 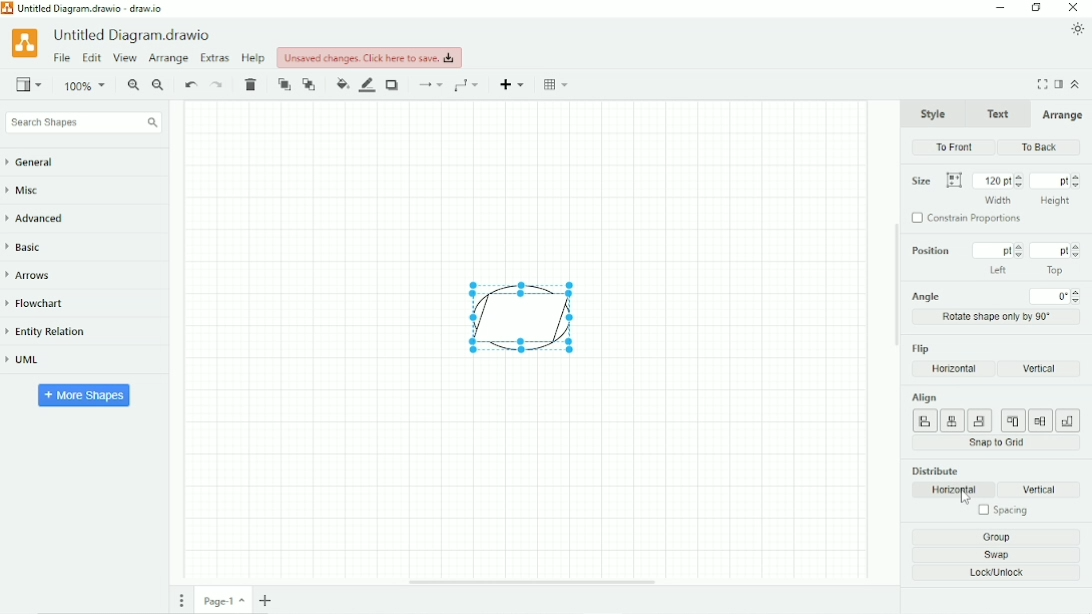 I want to click on Height, so click(x=1056, y=188).